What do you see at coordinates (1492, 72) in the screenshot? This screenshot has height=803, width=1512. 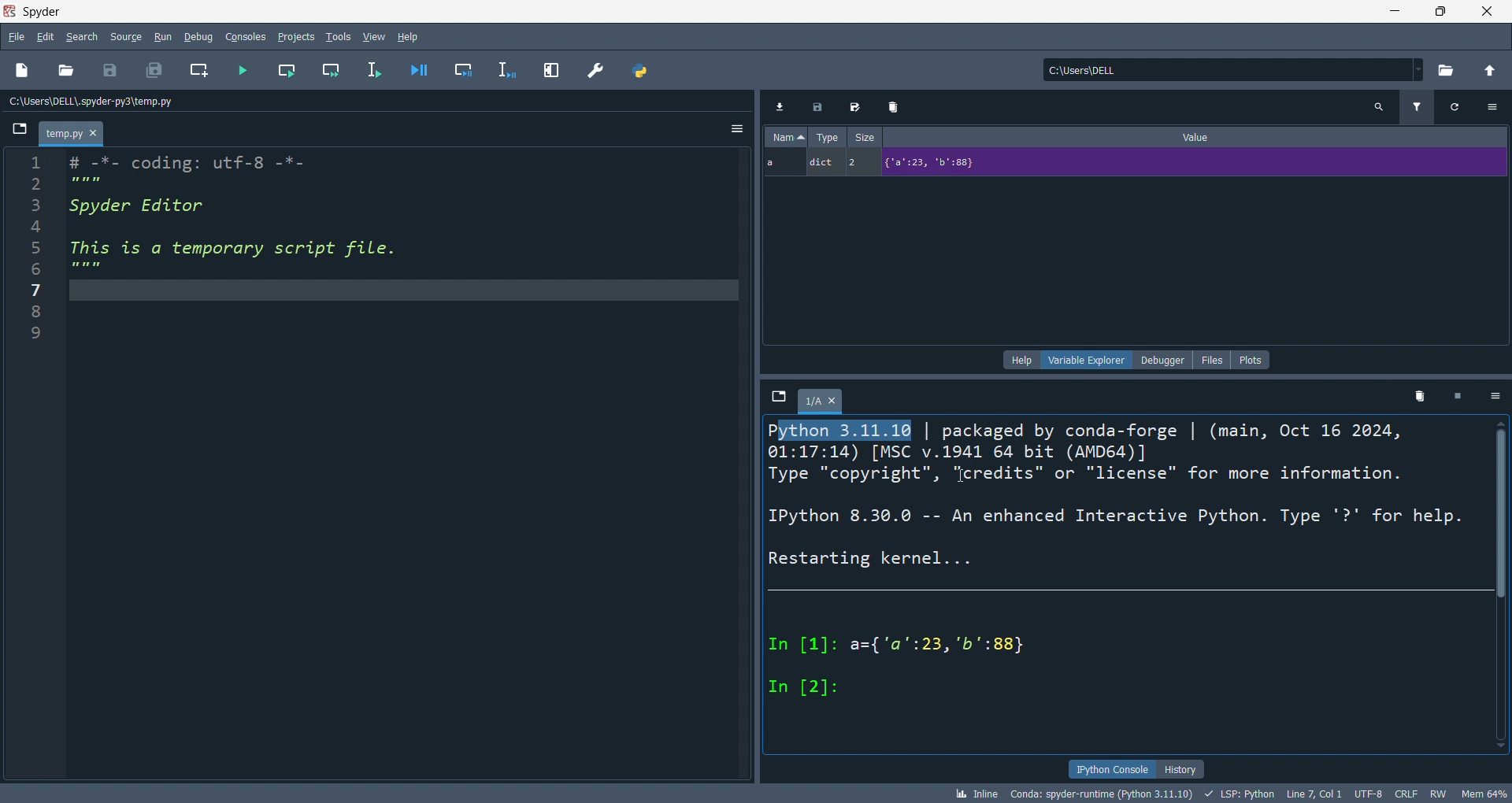 I see `open parent directory` at bounding box center [1492, 72].